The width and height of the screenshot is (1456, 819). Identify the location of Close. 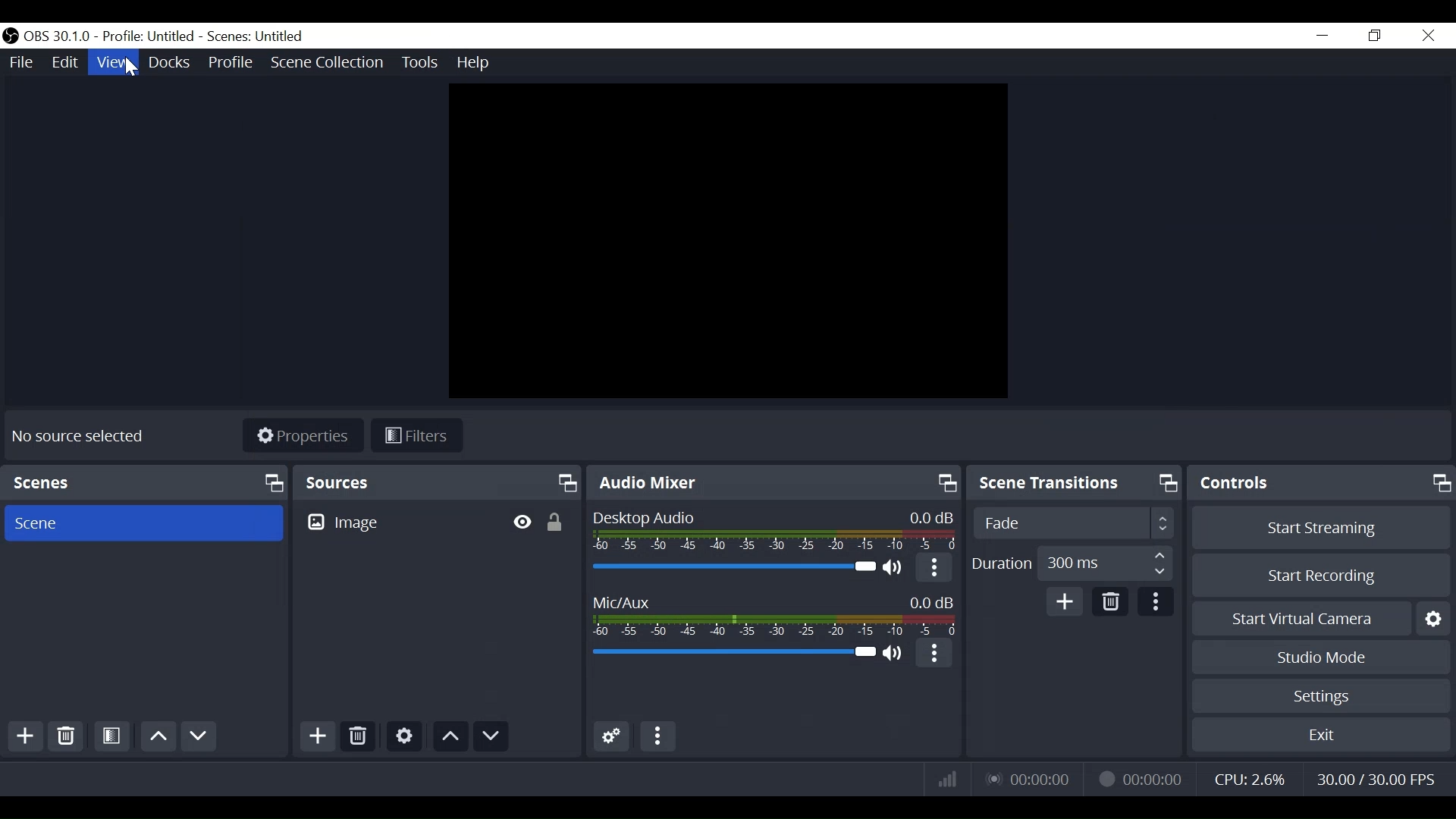
(1427, 35).